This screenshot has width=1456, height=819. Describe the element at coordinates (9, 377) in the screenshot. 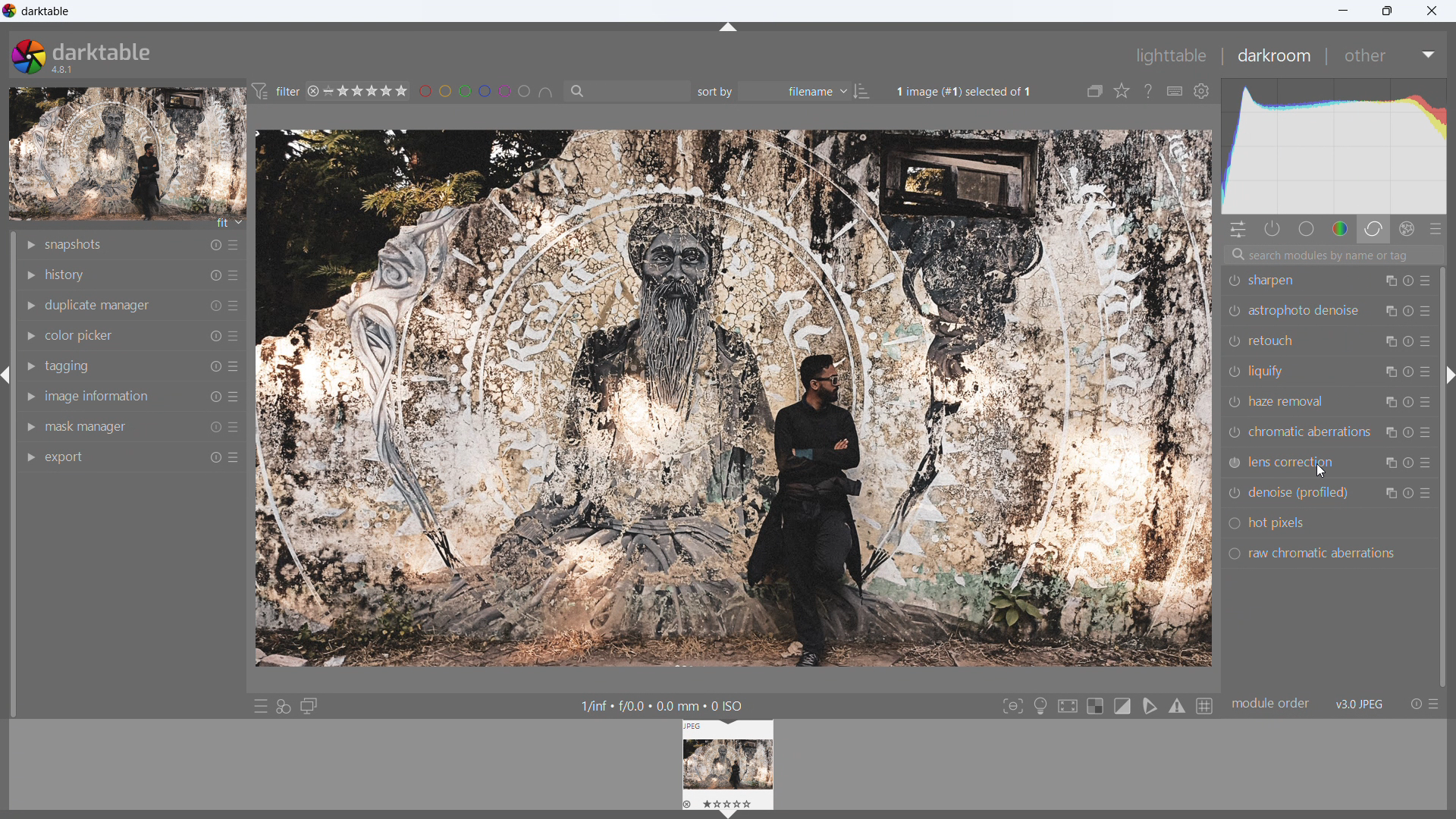

I see `hide panel` at that location.